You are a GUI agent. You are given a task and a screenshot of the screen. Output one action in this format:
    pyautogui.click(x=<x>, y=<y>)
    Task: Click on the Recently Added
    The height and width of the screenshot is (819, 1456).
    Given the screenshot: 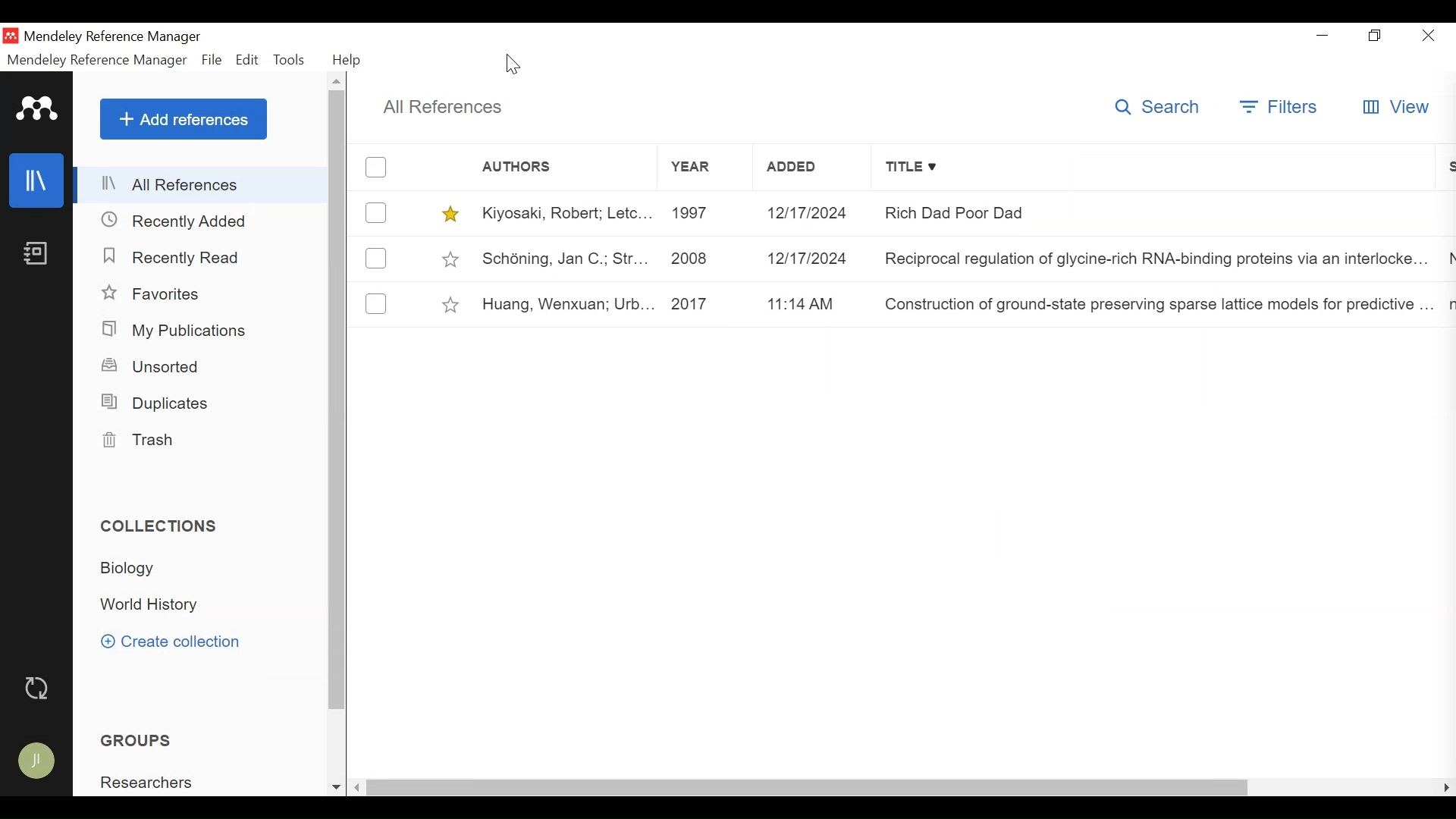 What is the action you would take?
    pyautogui.click(x=175, y=220)
    